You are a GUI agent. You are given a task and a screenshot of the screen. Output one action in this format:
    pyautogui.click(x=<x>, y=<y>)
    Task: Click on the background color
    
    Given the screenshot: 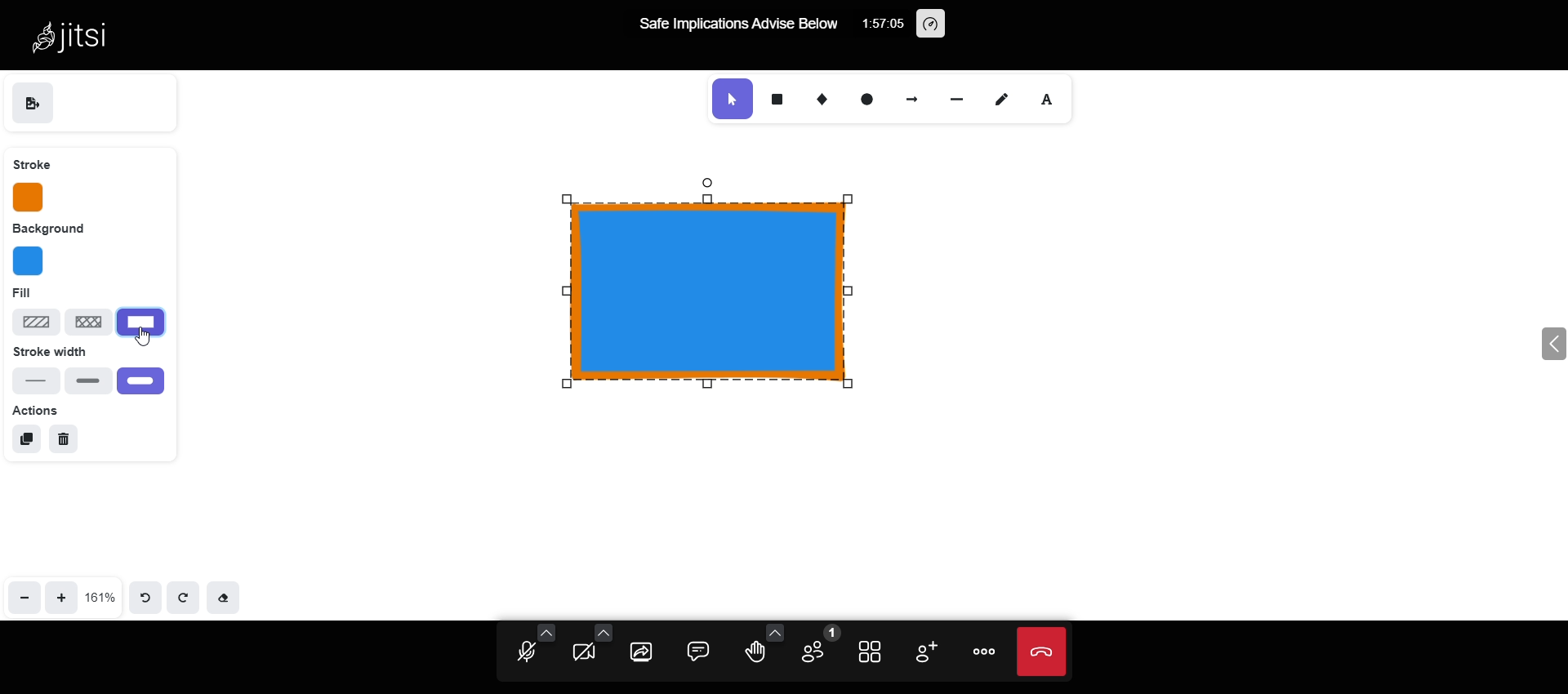 What is the action you would take?
    pyautogui.click(x=35, y=260)
    